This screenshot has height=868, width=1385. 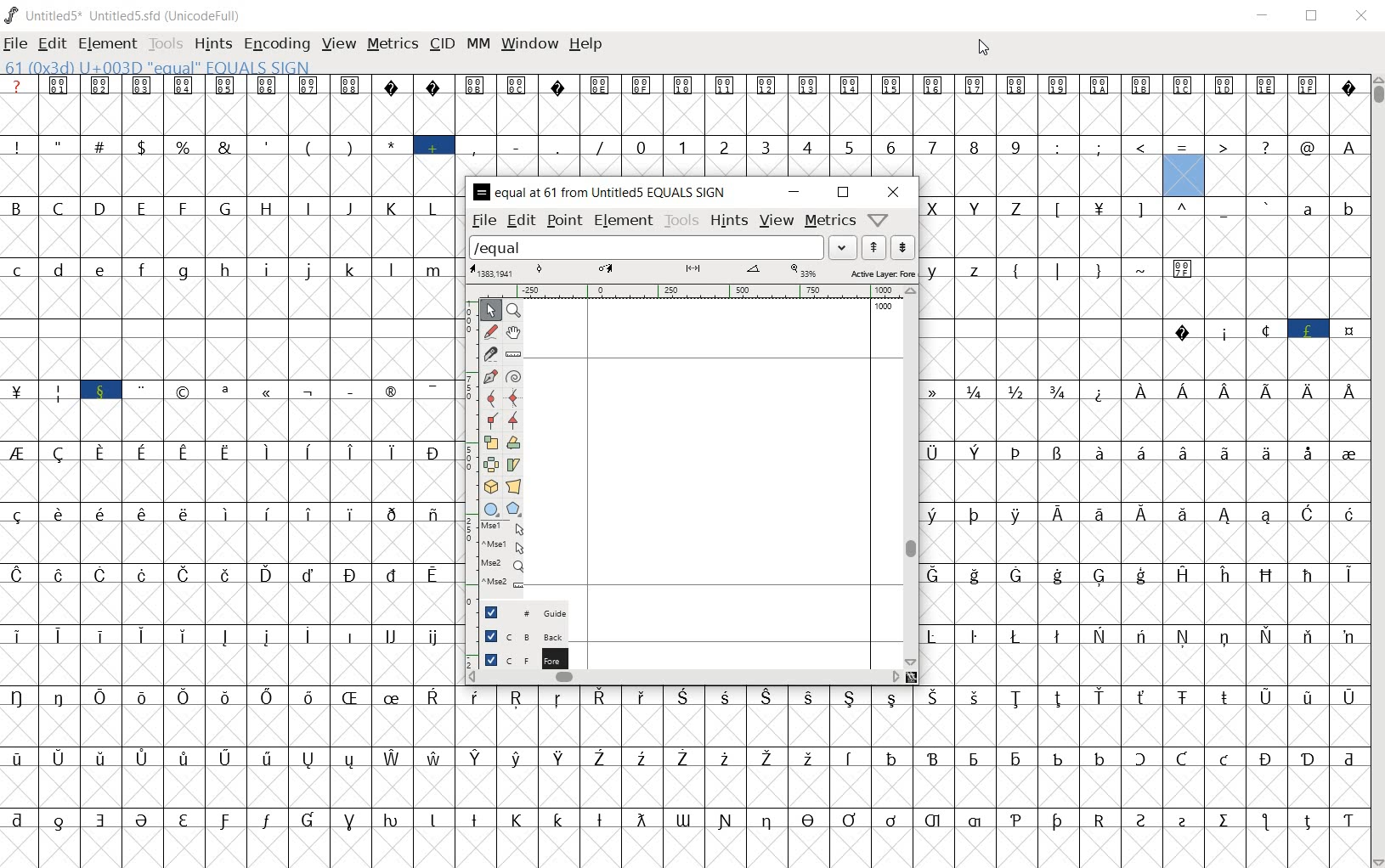 What do you see at coordinates (512, 465) in the screenshot?
I see `skew the selection` at bounding box center [512, 465].